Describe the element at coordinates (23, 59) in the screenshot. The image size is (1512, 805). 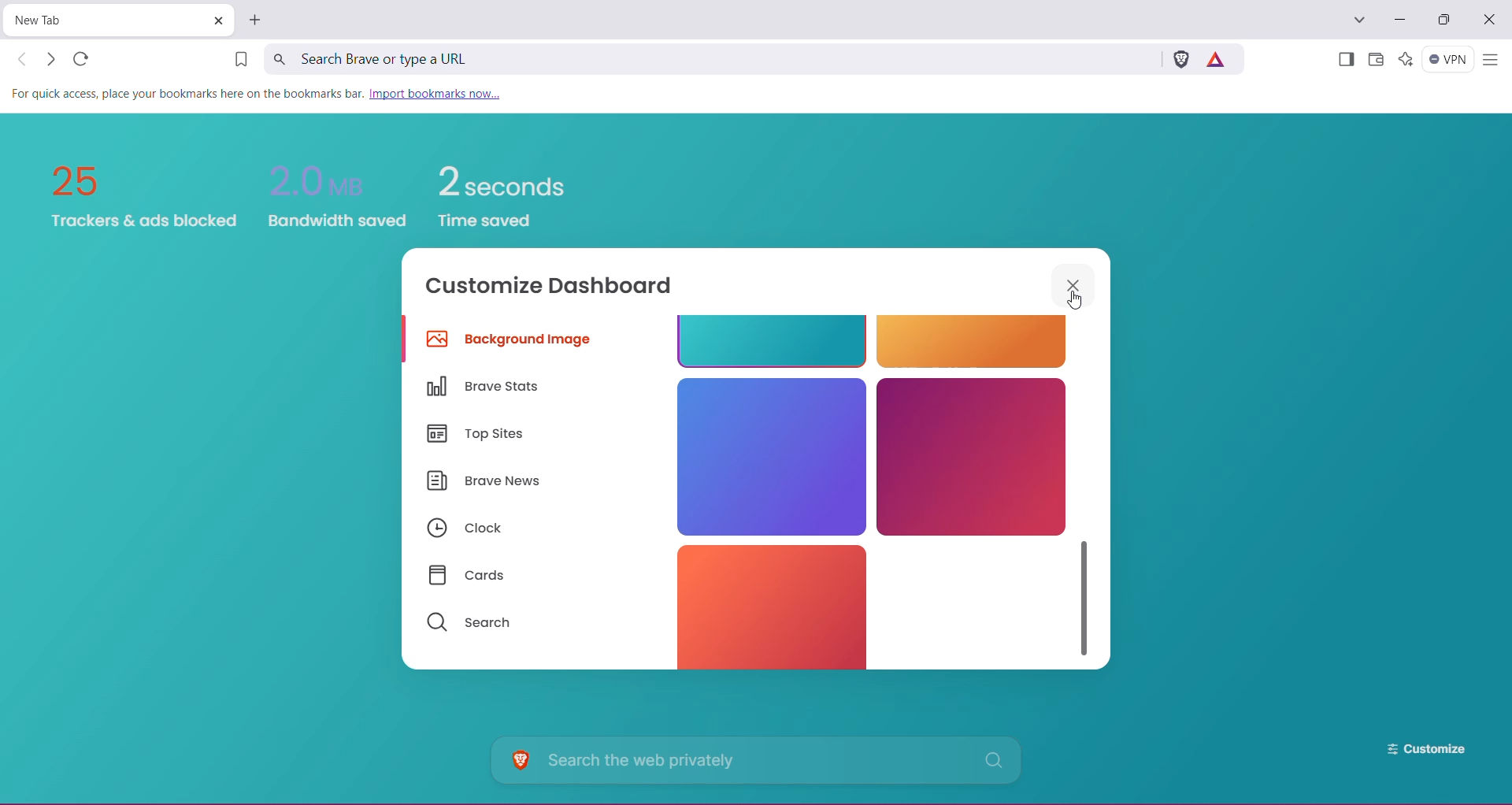
I see `Click to go back, hold to see history` at that location.